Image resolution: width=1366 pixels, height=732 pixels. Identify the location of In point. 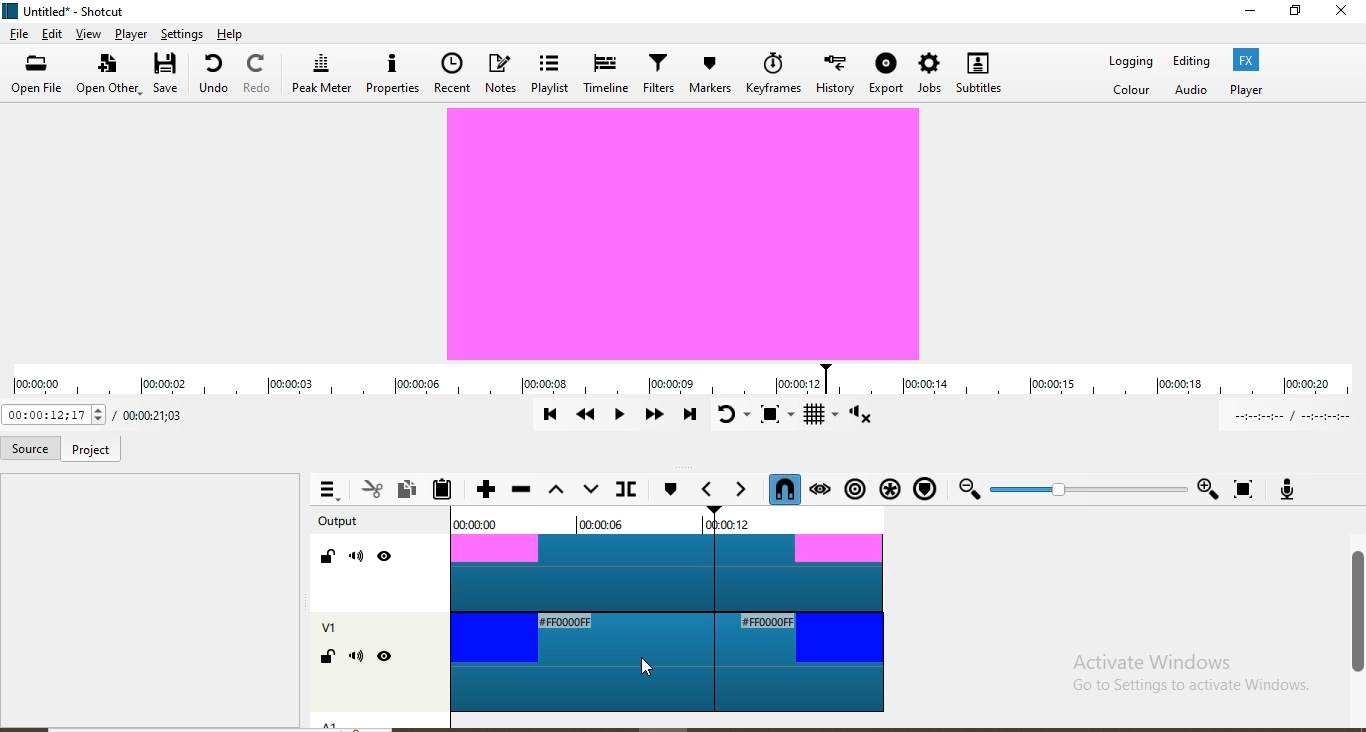
(1292, 416).